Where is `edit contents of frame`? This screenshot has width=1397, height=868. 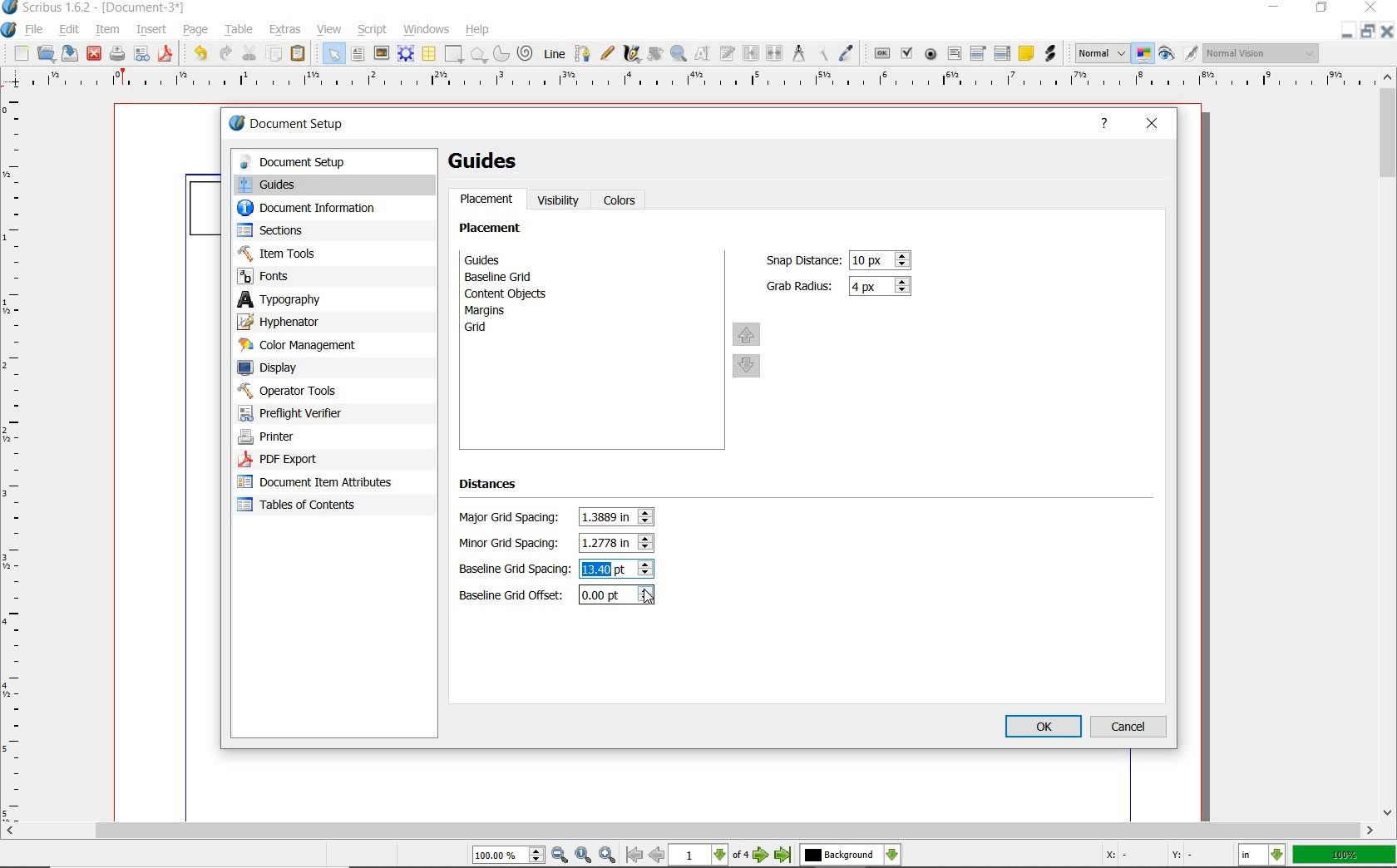
edit contents of frame is located at coordinates (703, 53).